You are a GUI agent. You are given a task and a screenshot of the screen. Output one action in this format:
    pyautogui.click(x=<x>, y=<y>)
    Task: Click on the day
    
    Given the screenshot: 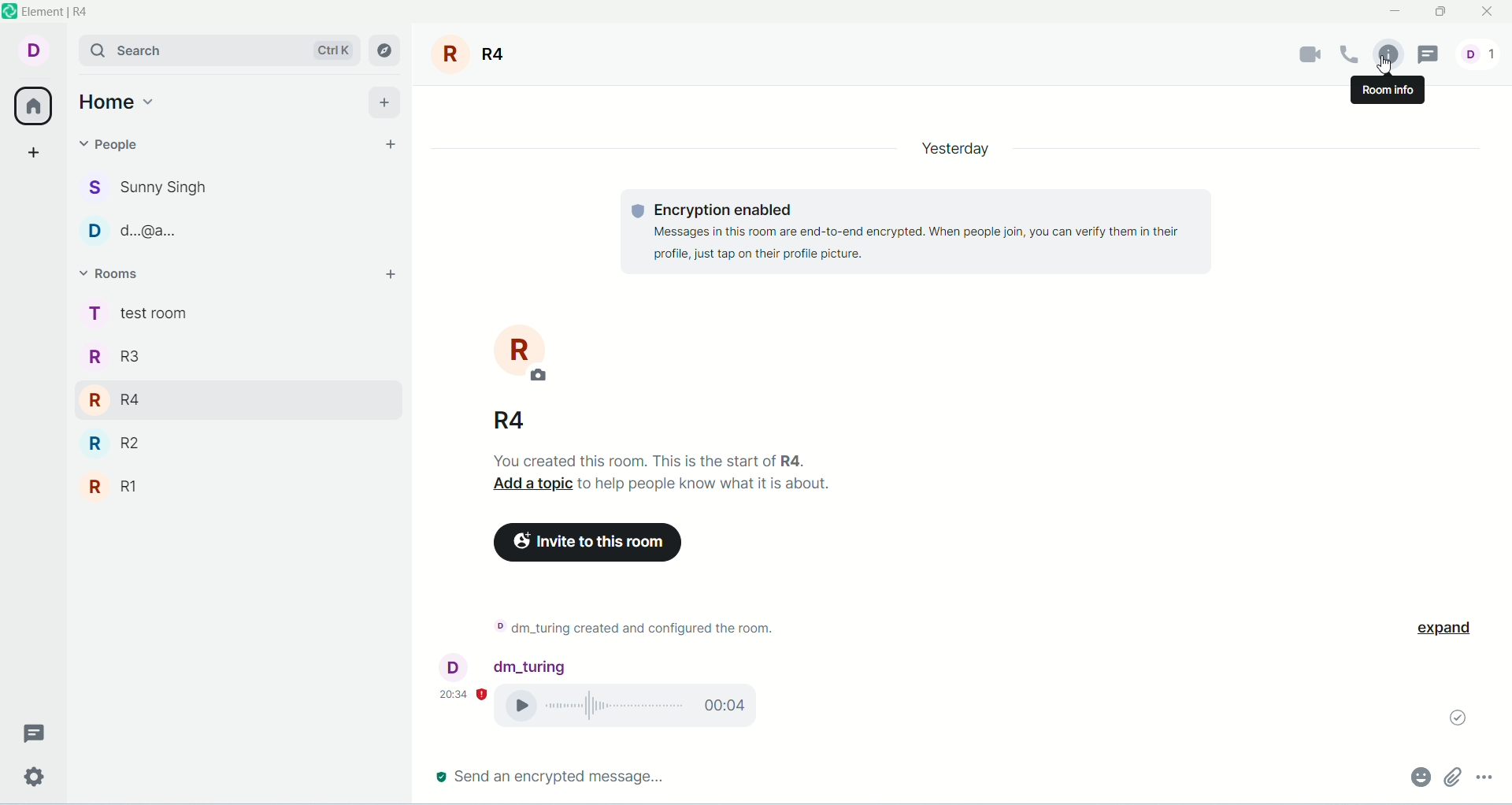 What is the action you would take?
    pyautogui.click(x=958, y=152)
    